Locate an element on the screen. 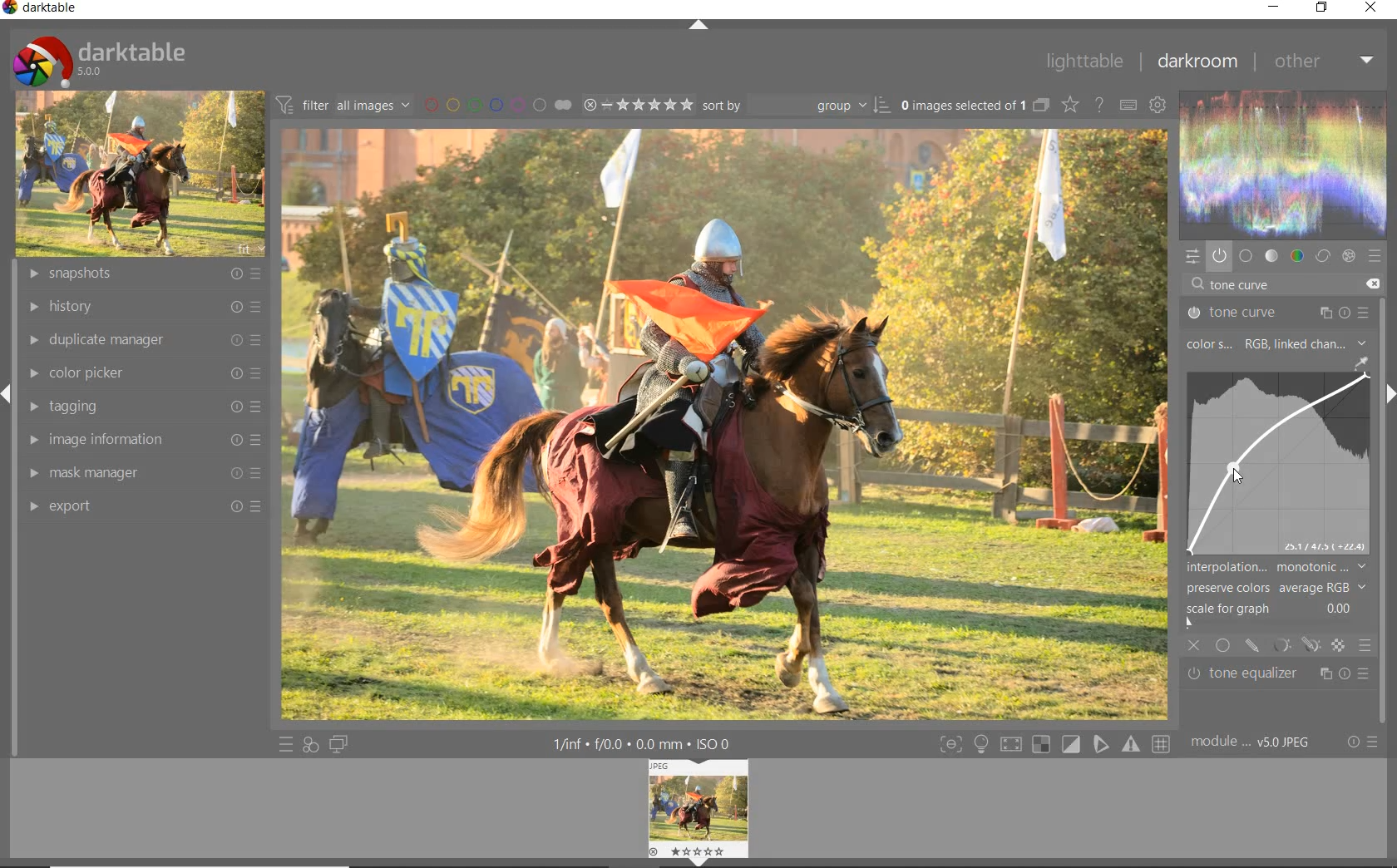 The image size is (1397, 868). duplicate manager is located at coordinates (144, 339).